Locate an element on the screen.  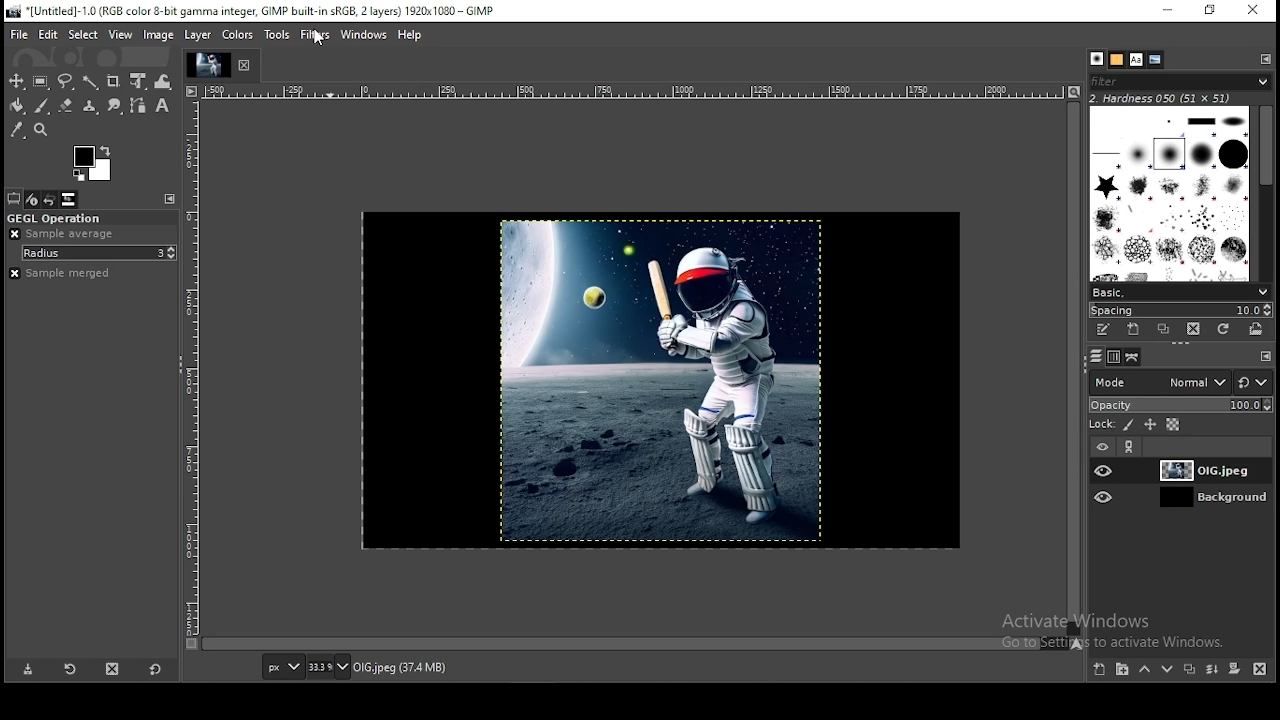
bucket fill tool is located at coordinates (17, 107).